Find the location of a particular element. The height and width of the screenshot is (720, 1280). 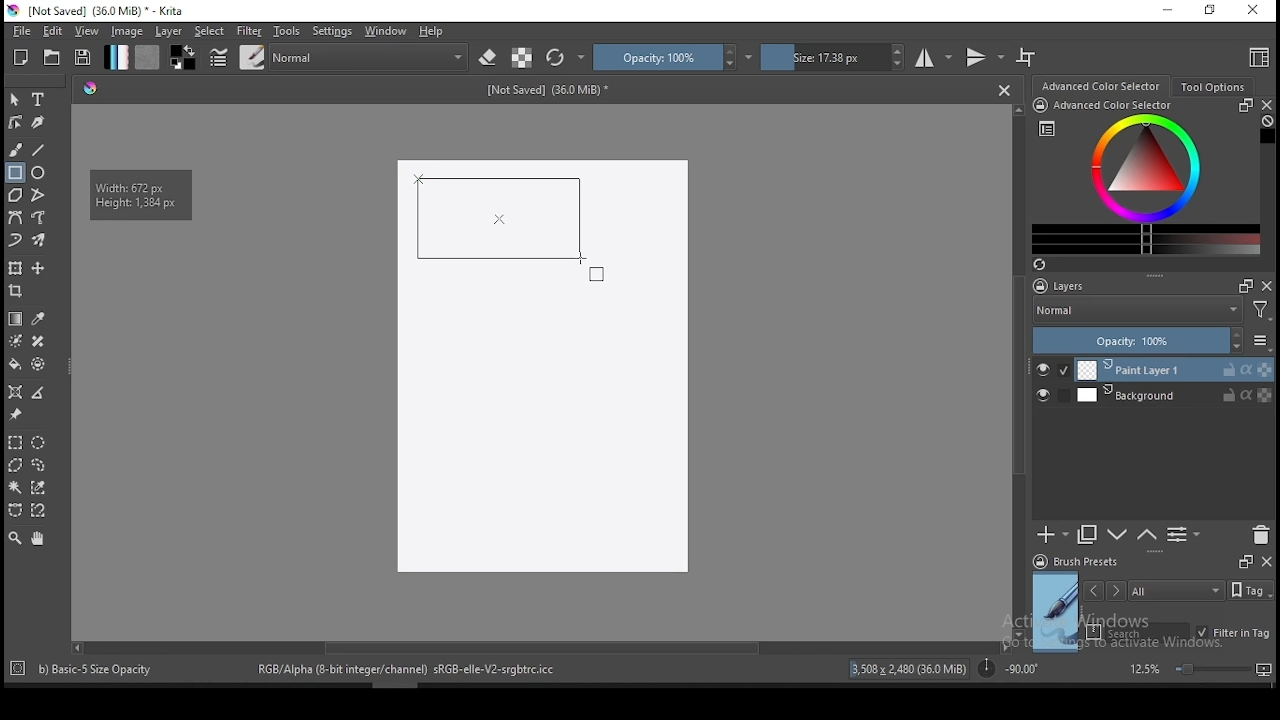

colors is located at coordinates (183, 57).